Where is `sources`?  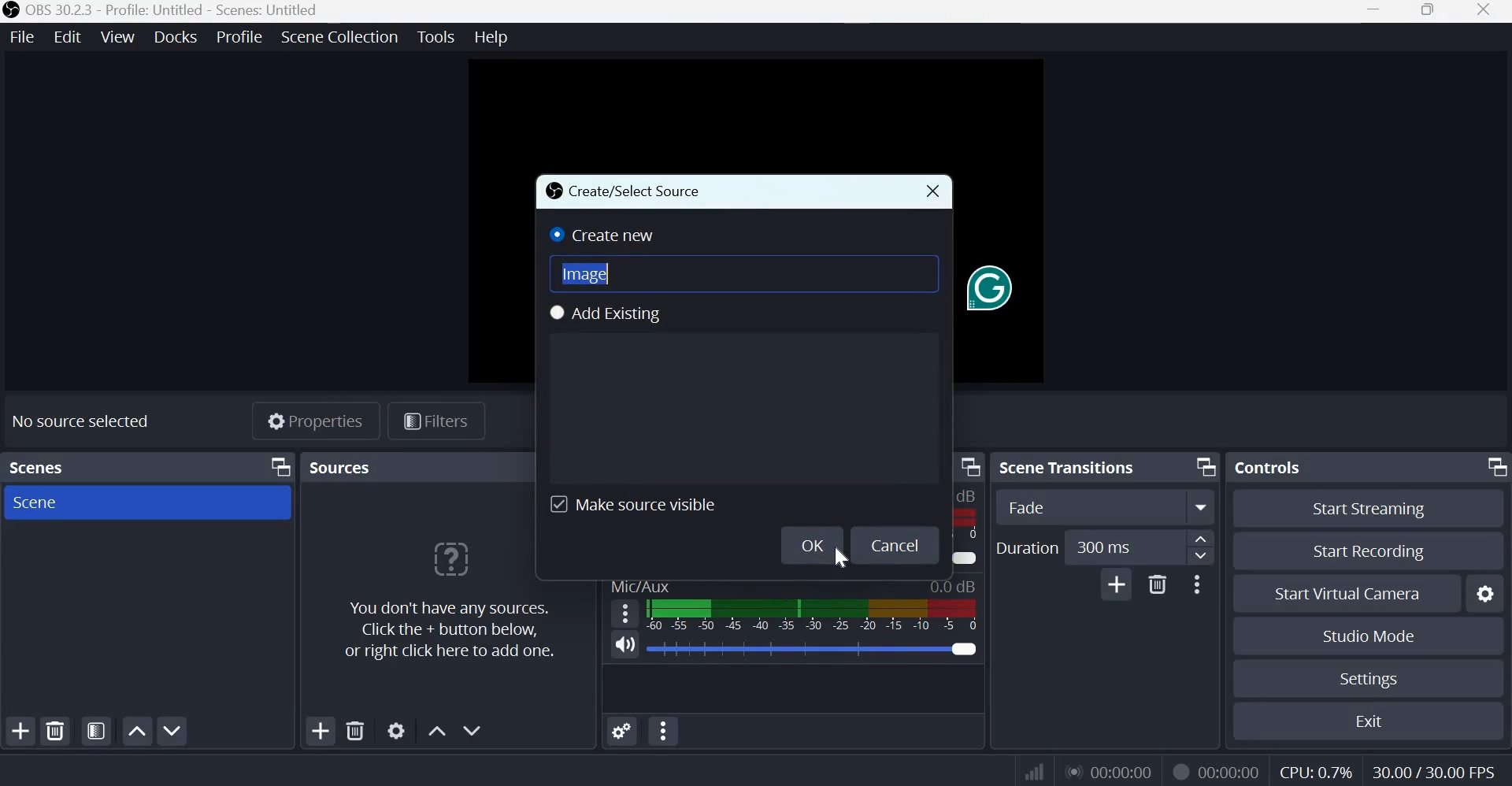
sources is located at coordinates (355, 467).